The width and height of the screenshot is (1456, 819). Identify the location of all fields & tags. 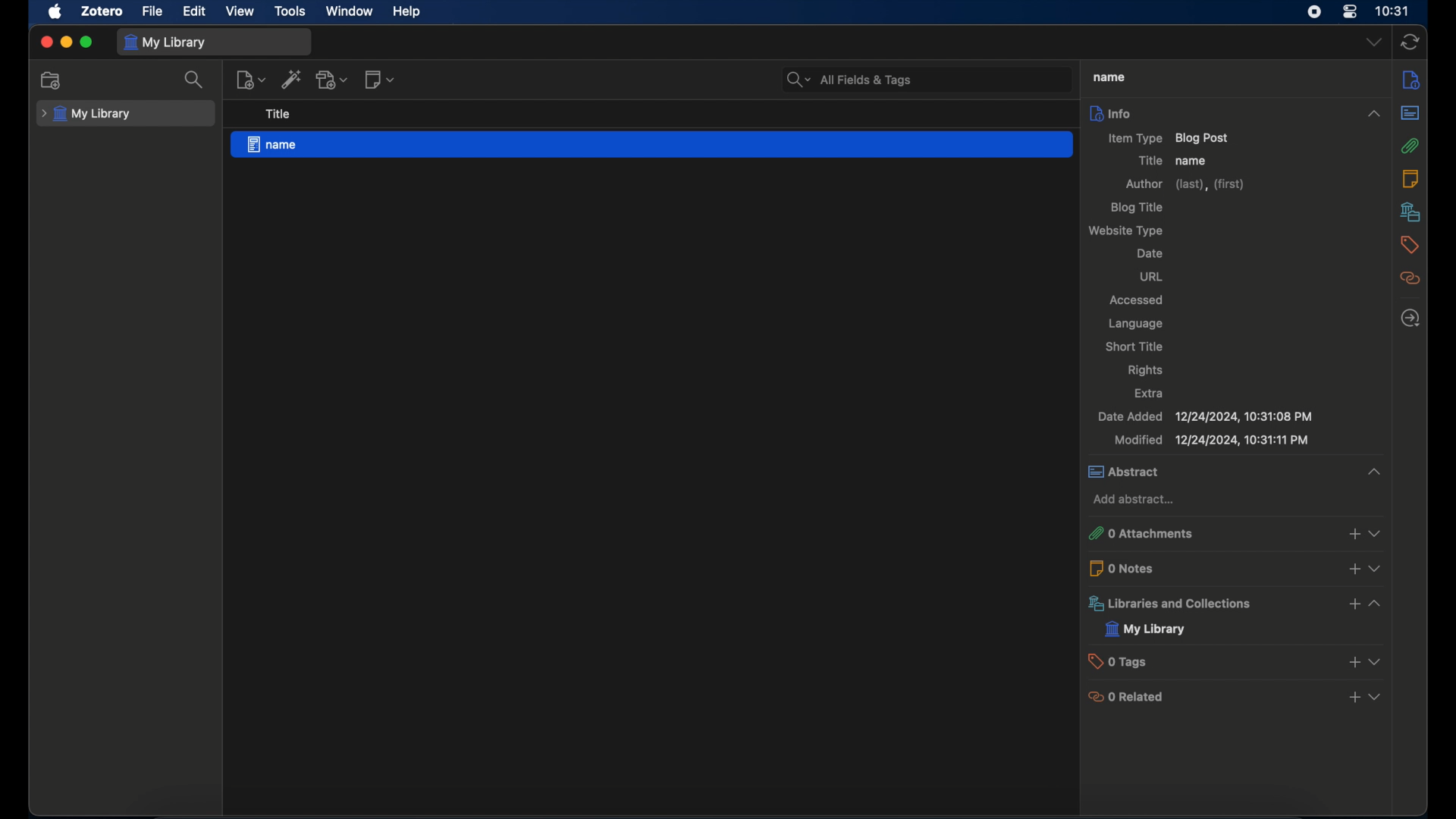
(851, 80).